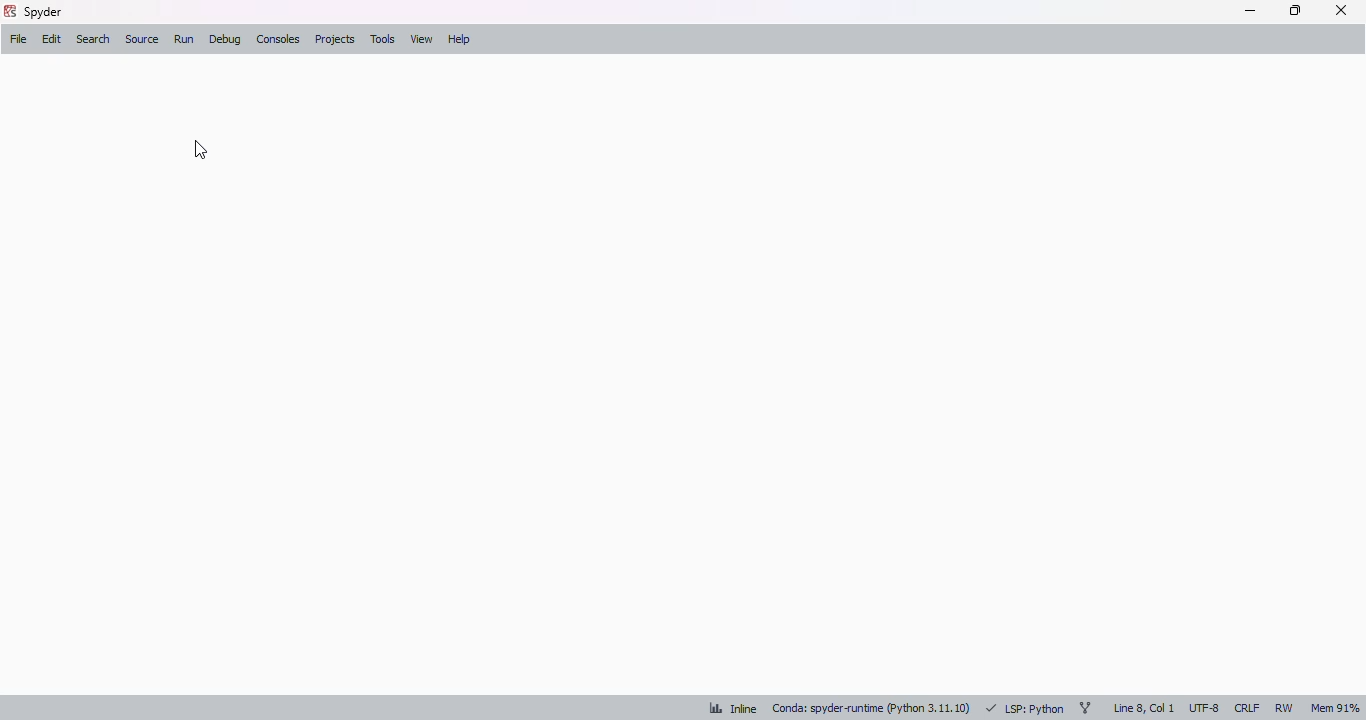 The image size is (1366, 720). What do you see at coordinates (1341, 10) in the screenshot?
I see `close` at bounding box center [1341, 10].